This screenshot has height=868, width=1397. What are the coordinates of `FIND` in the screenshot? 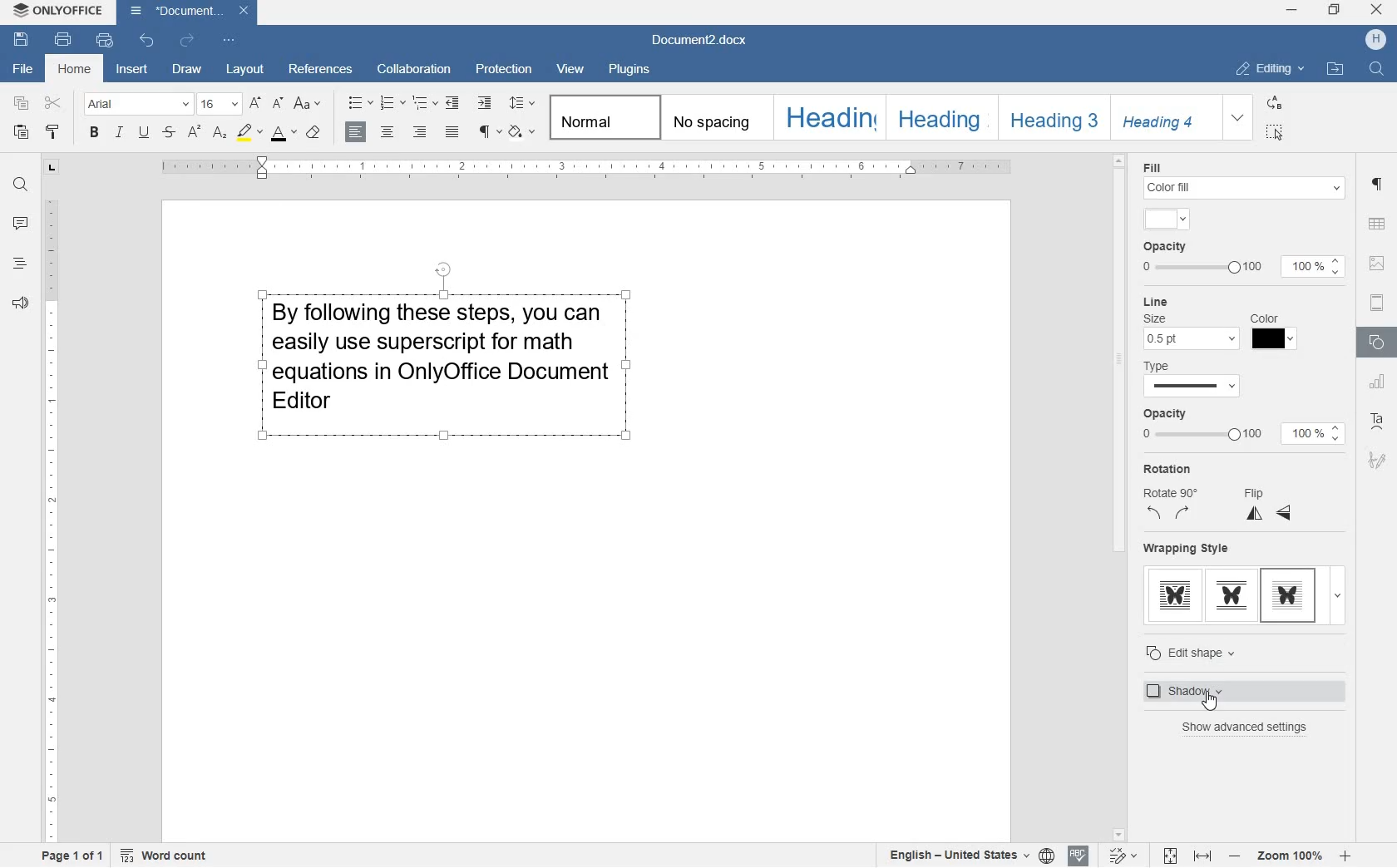 It's located at (1378, 71).